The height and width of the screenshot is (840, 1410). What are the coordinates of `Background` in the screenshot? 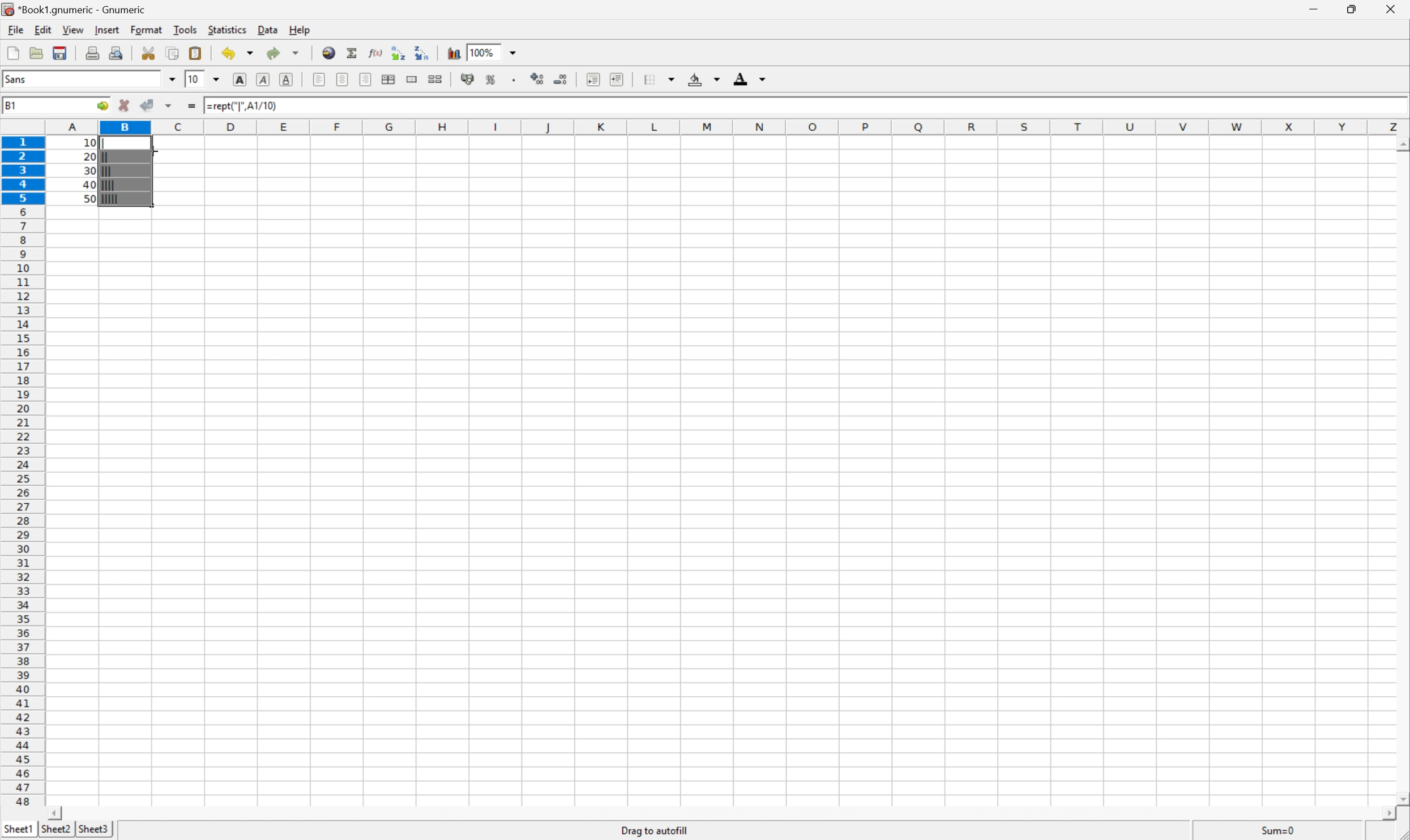 It's located at (704, 79).